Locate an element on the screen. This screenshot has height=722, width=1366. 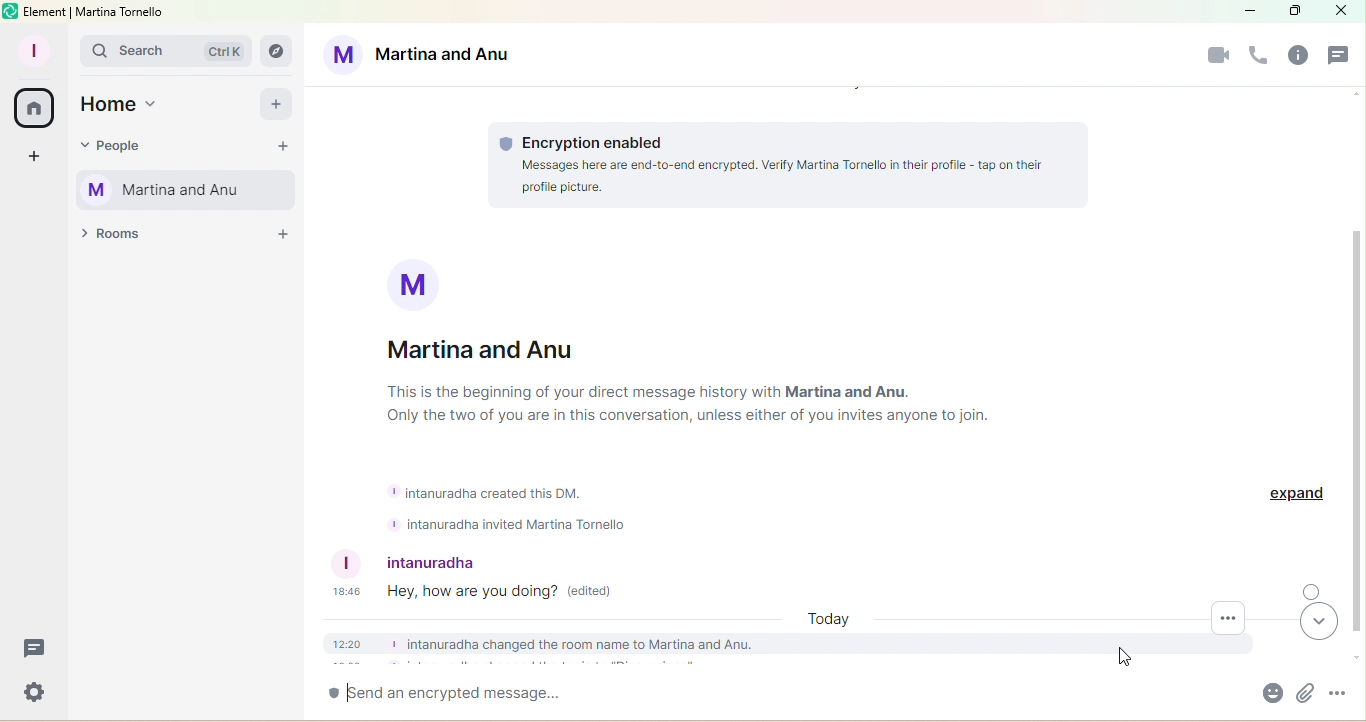
Search rooms is located at coordinates (275, 49).